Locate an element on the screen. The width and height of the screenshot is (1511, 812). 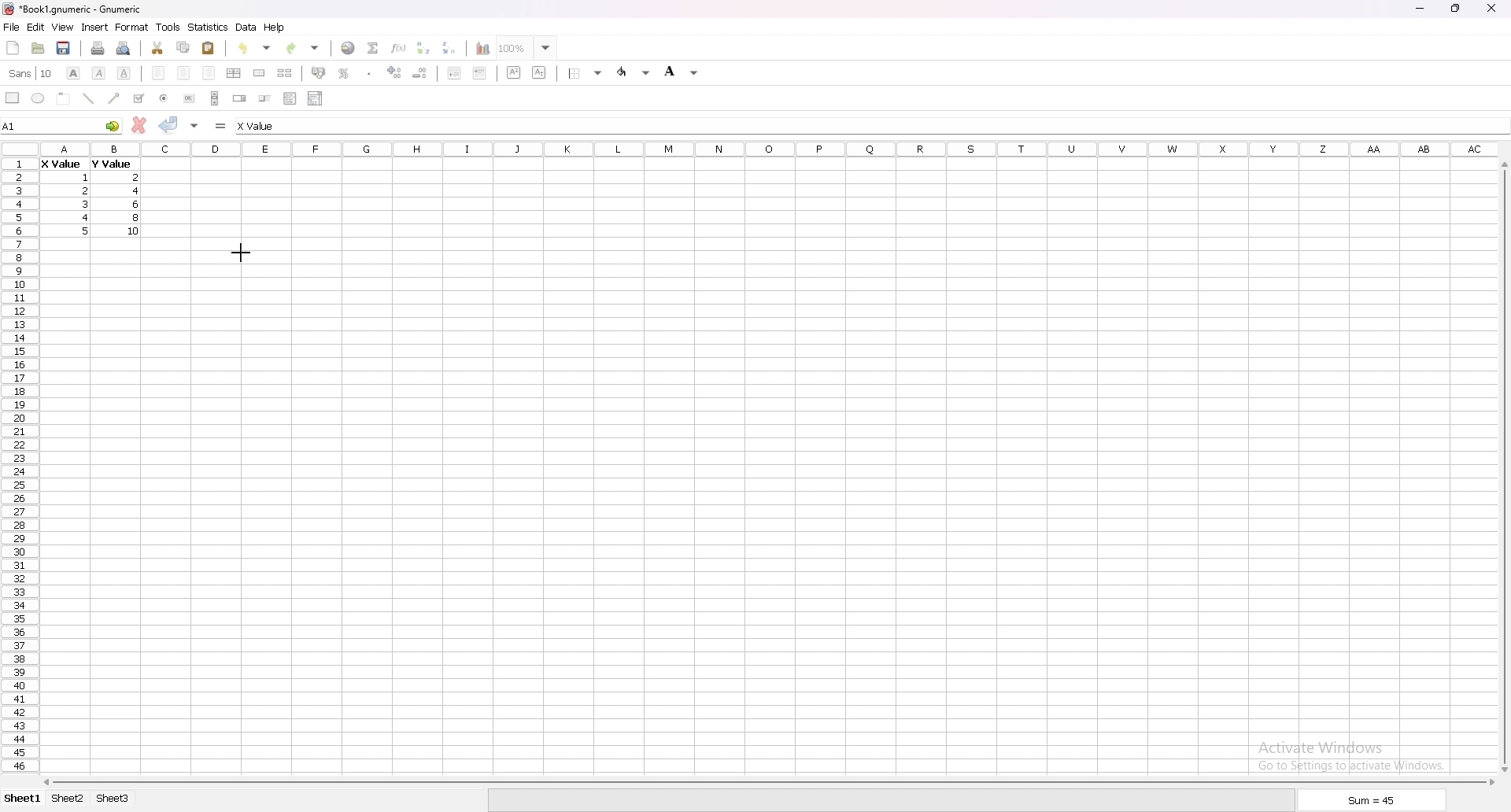
help is located at coordinates (275, 27).